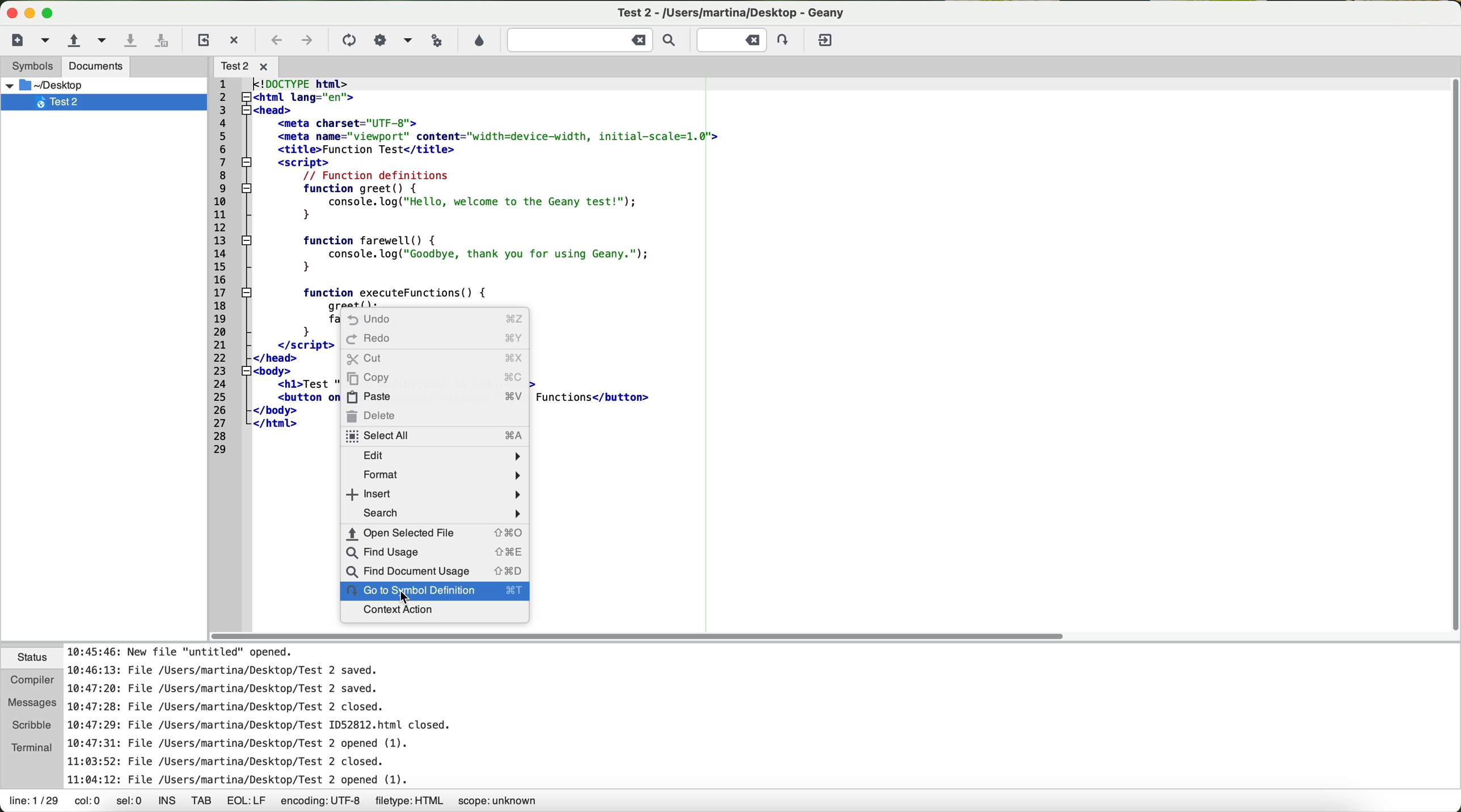  I want to click on jump to the entered line numbered, so click(746, 40).